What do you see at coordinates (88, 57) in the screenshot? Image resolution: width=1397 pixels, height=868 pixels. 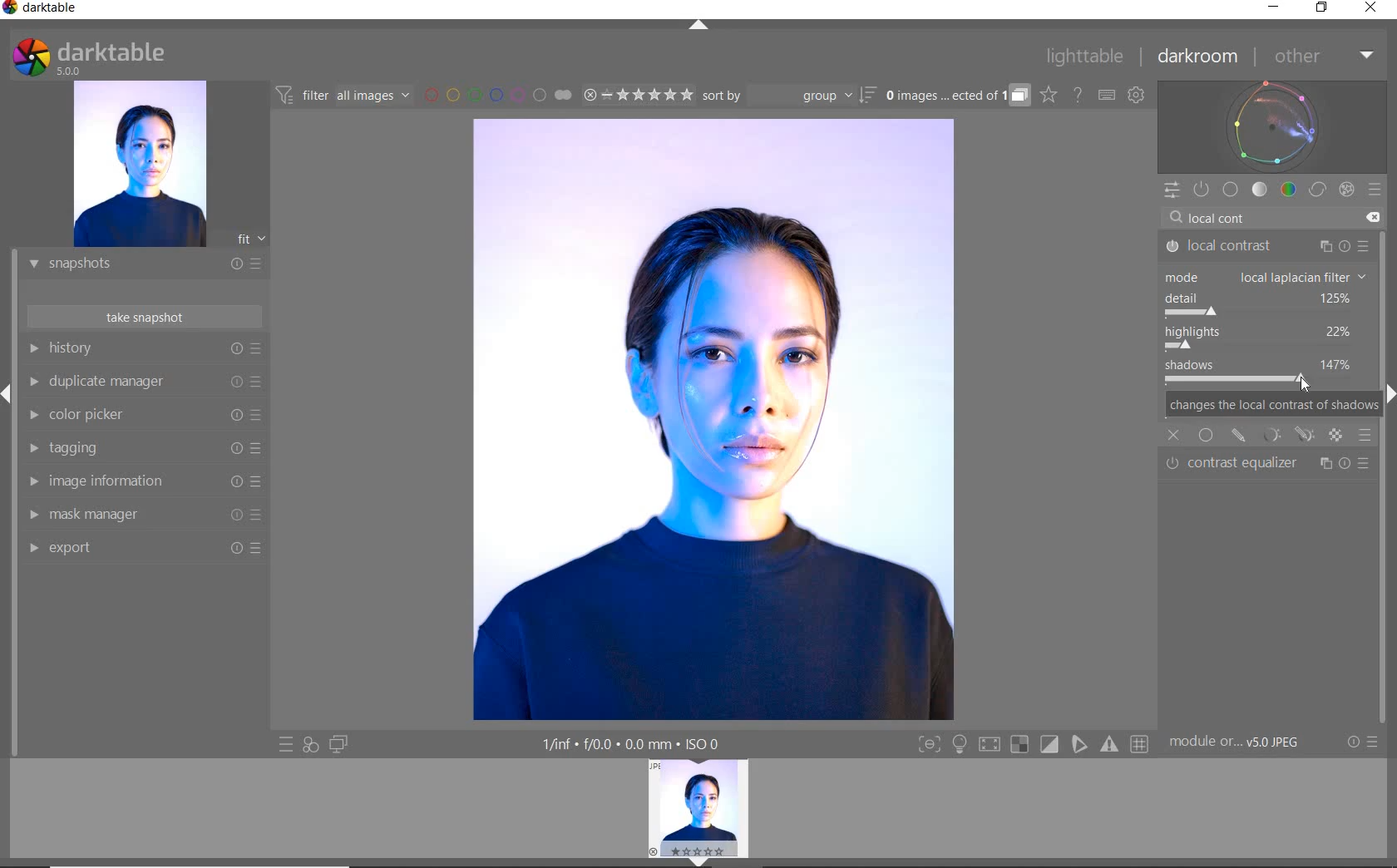 I see `SYSTEM LOGO` at bounding box center [88, 57].